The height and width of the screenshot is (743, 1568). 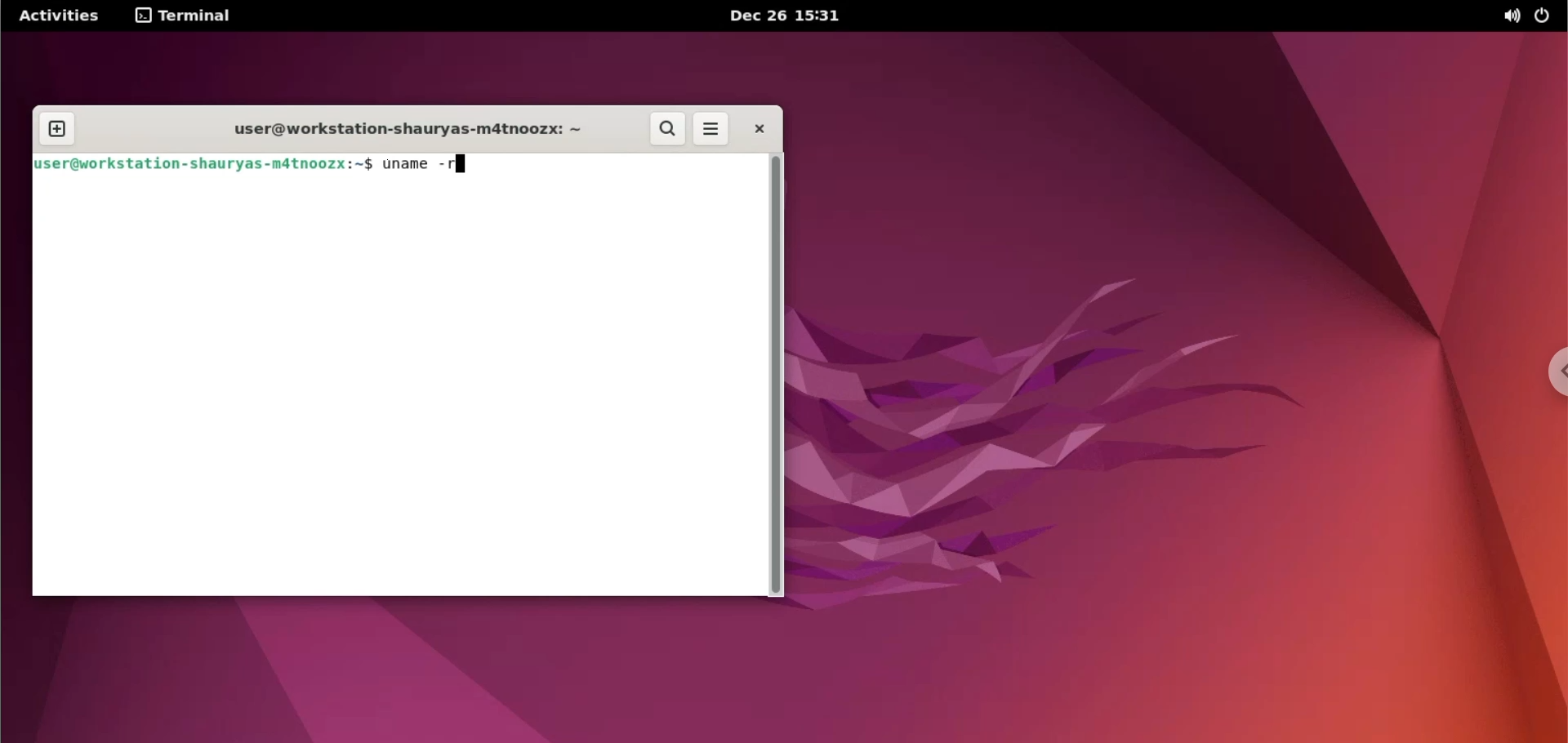 What do you see at coordinates (666, 130) in the screenshot?
I see `search` at bounding box center [666, 130].